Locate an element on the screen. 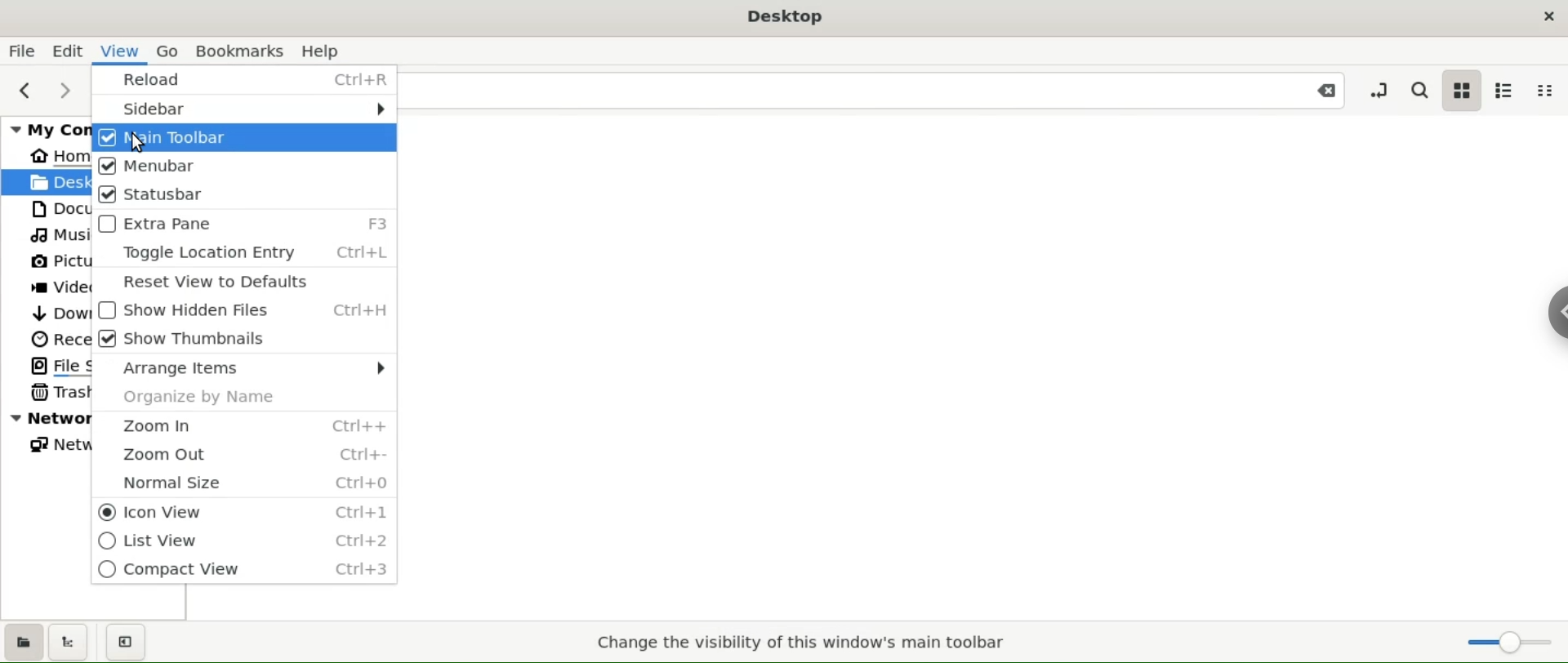 The width and height of the screenshot is (1568, 663). Change the visibility of this window's main toolbar is located at coordinates (808, 645).